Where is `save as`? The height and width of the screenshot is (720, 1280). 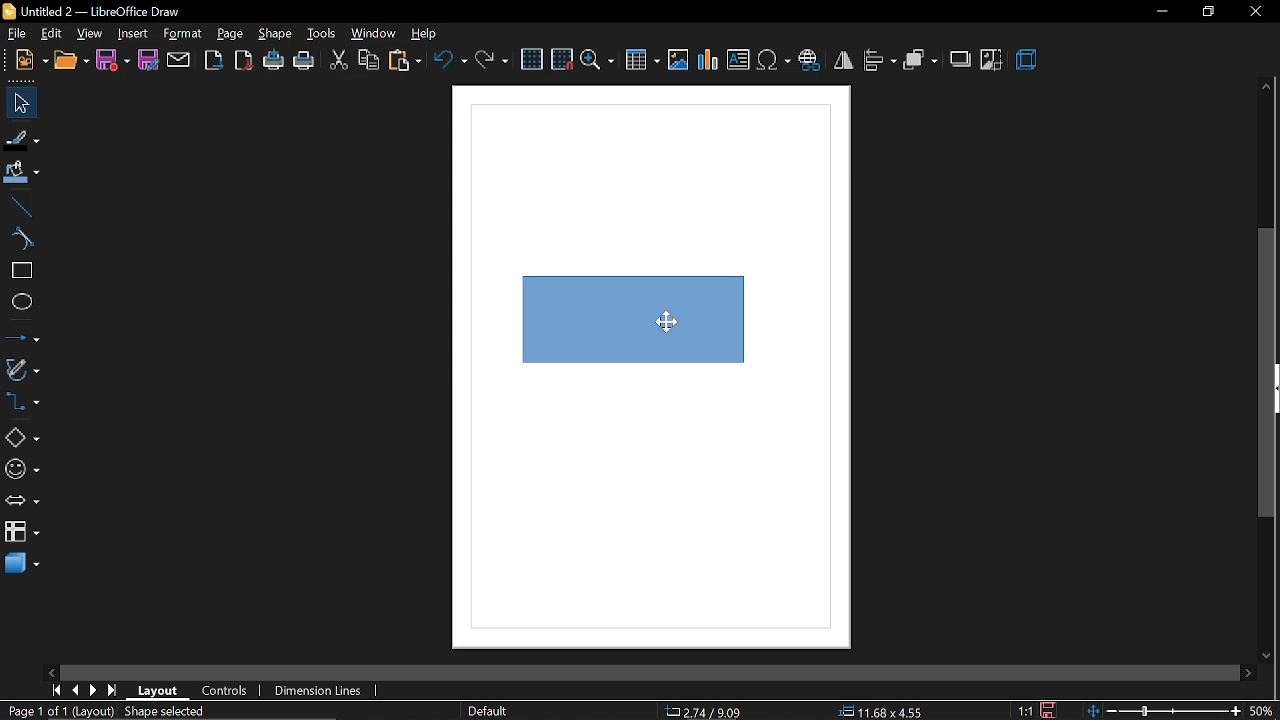
save as is located at coordinates (149, 61).